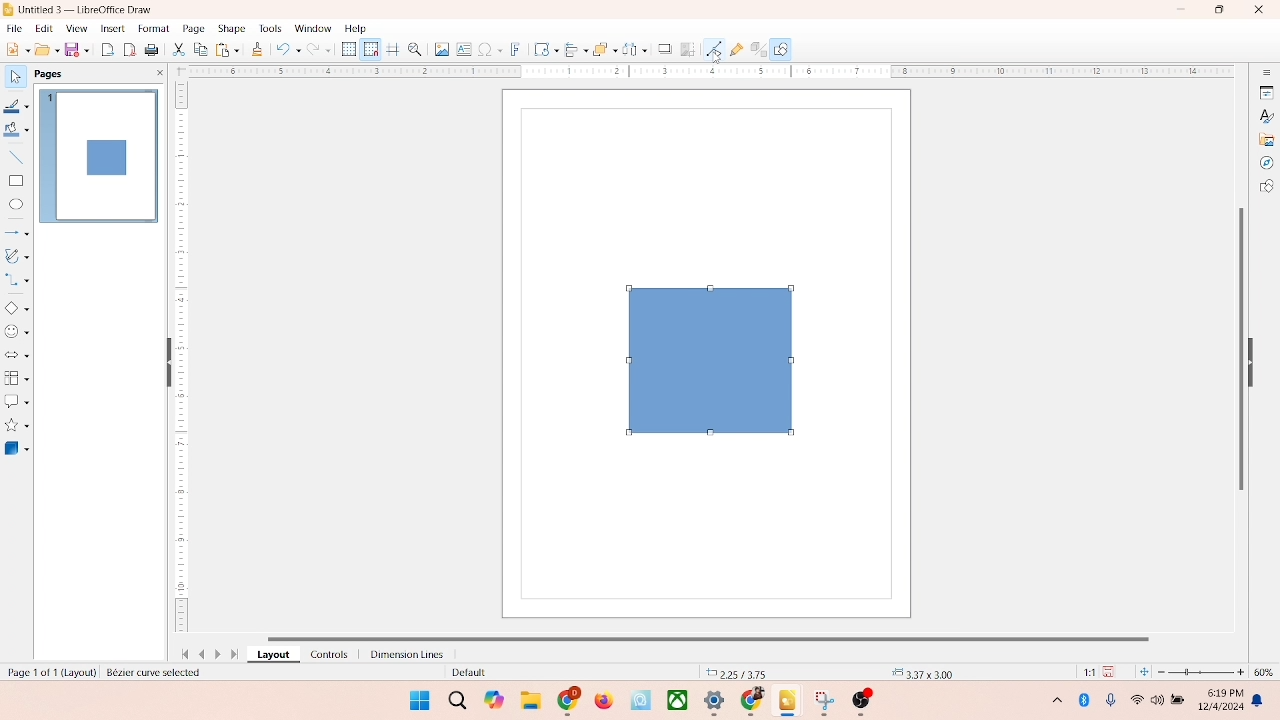 The image size is (1280, 720). Describe the element at coordinates (1265, 91) in the screenshot. I see `properties` at that location.